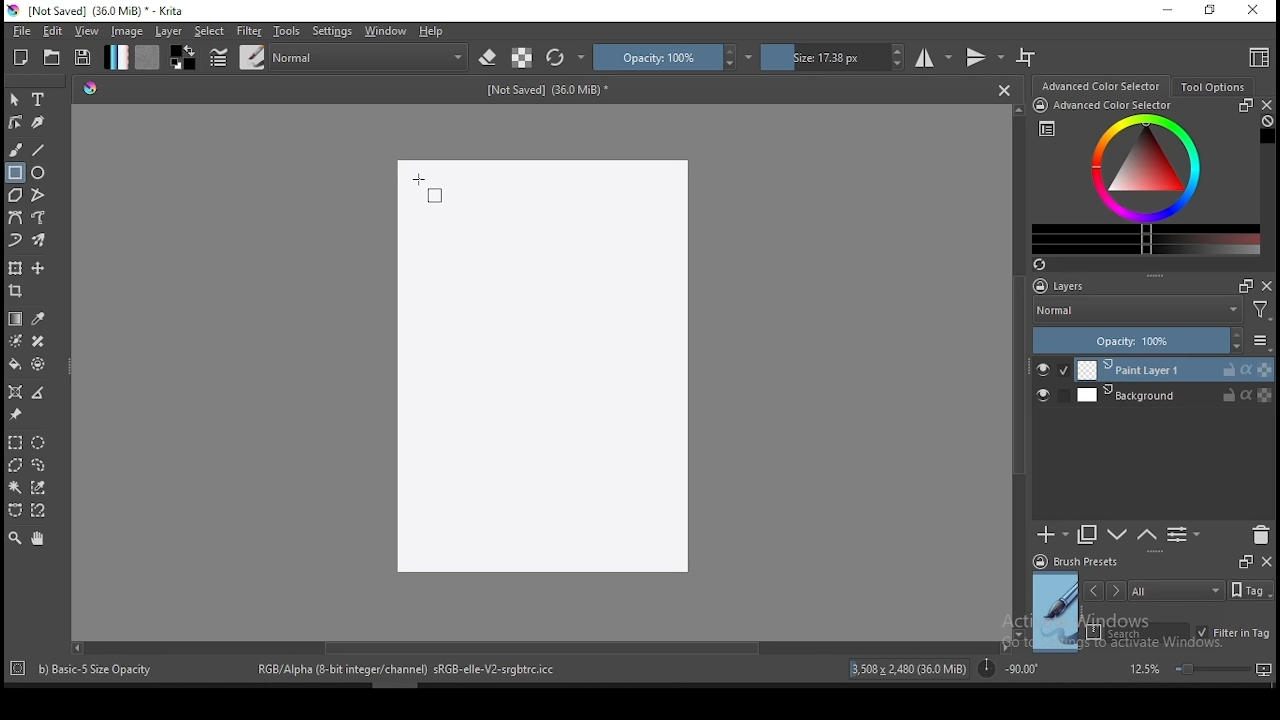 This screenshot has height=720, width=1280. Describe the element at coordinates (39, 319) in the screenshot. I see `pick a color from image and current layer` at that location.